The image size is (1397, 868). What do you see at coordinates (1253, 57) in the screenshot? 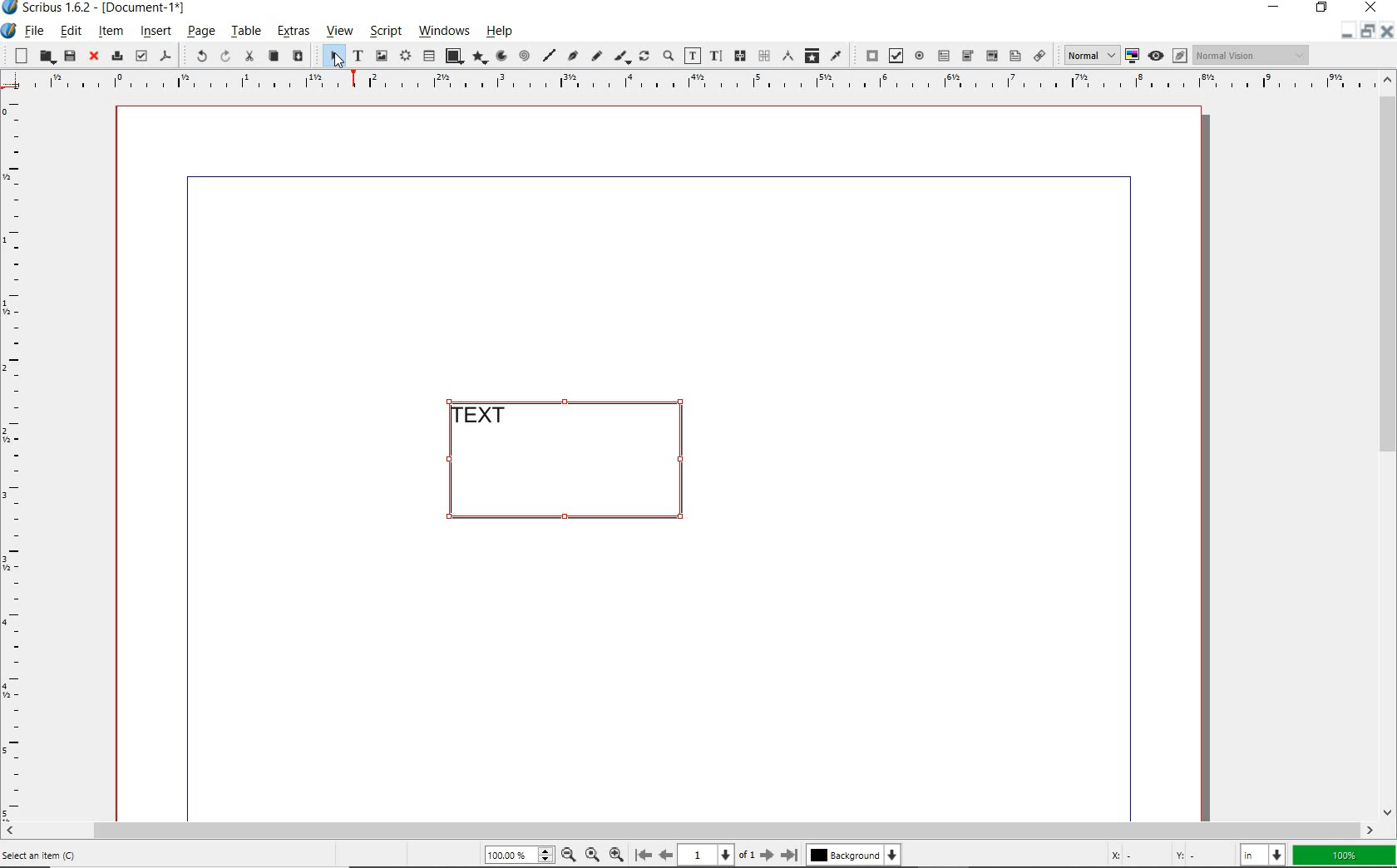
I see `Normal Vision` at bounding box center [1253, 57].